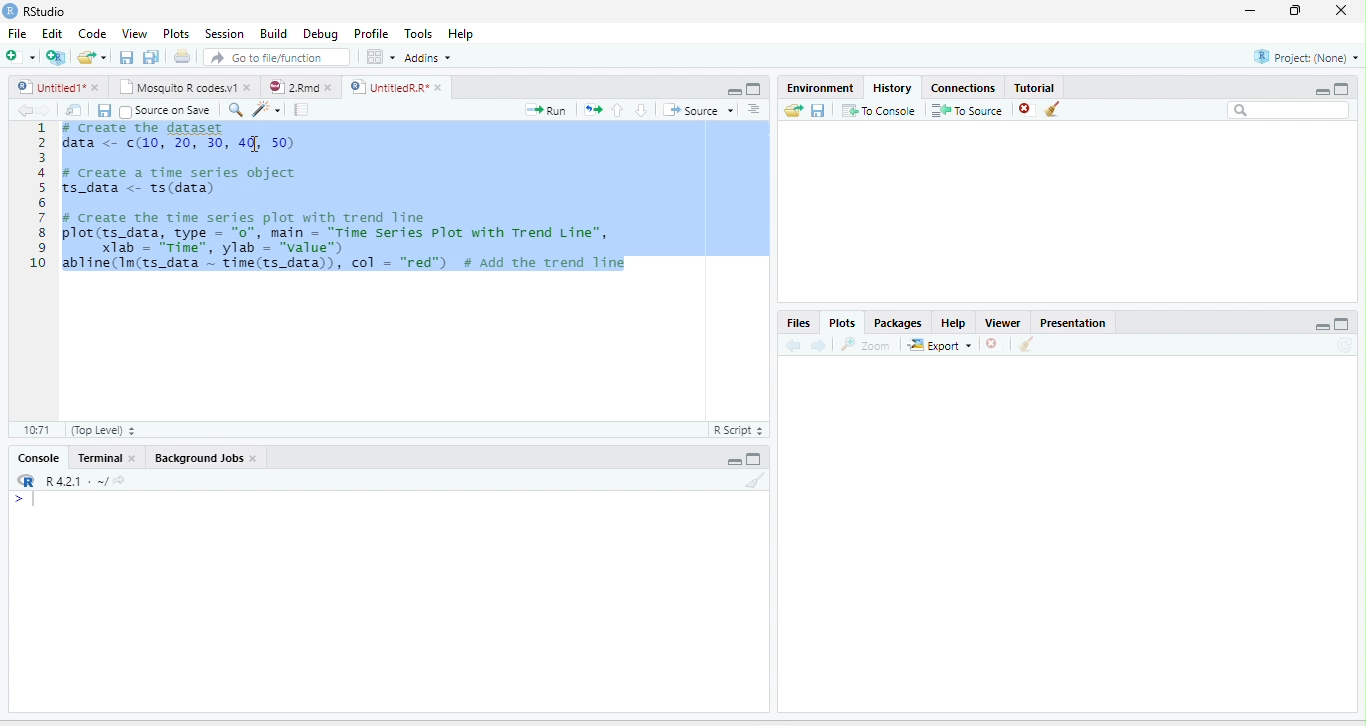  I want to click on Help, so click(954, 323).